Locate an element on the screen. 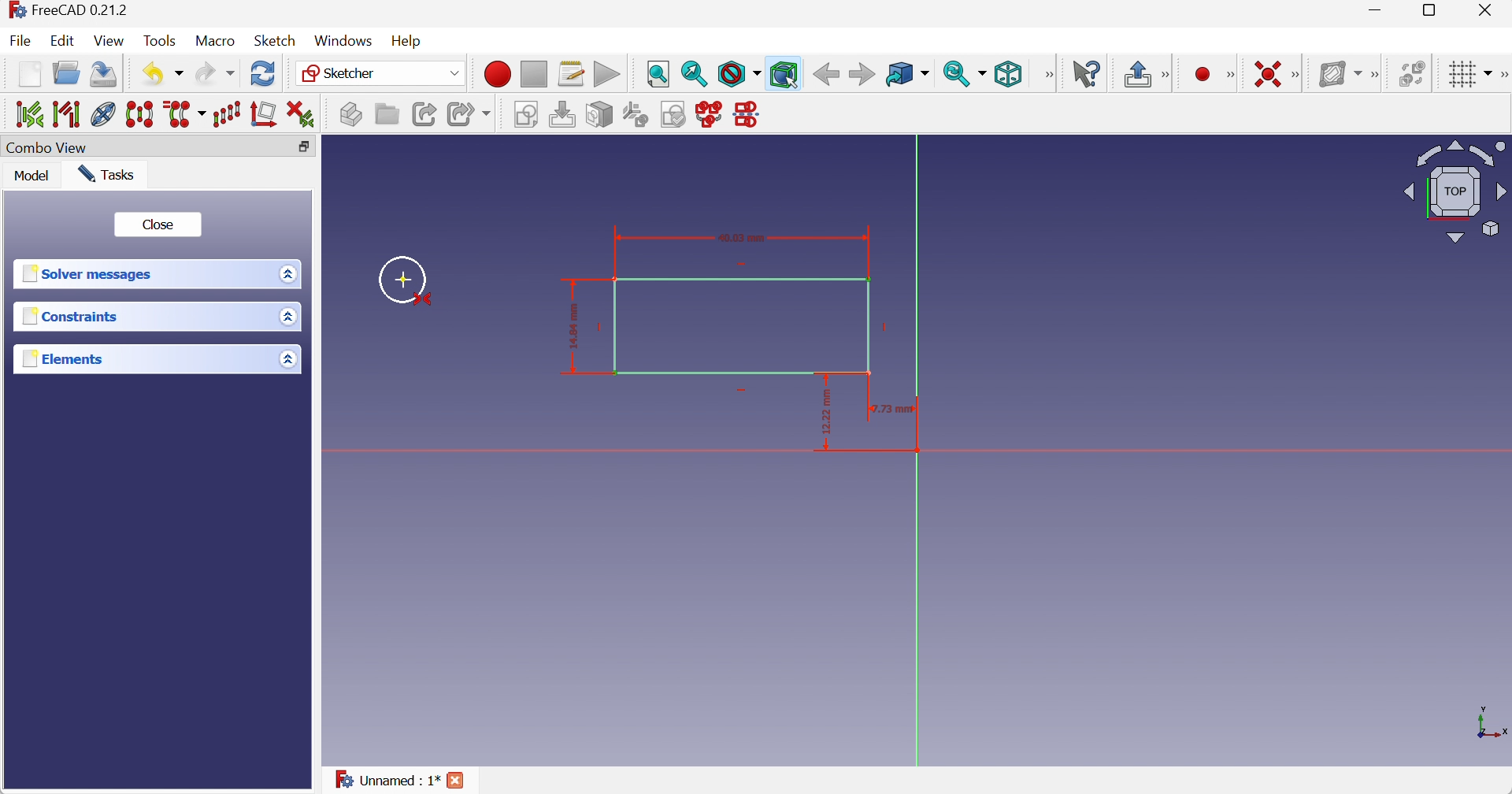 The height and width of the screenshot is (794, 1512). x, y axis is located at coordinates (1489, 721).